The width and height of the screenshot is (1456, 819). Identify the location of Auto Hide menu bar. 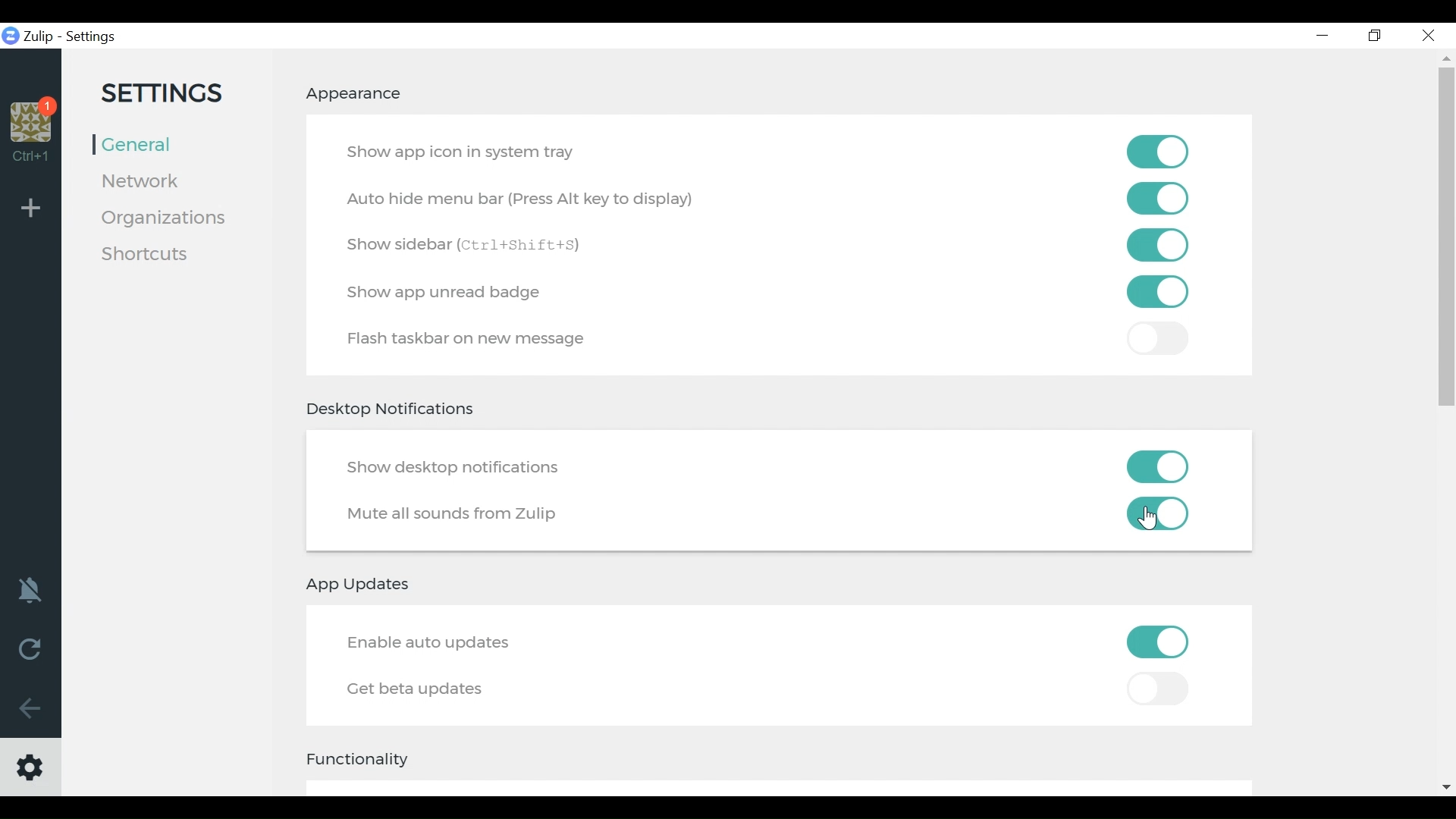
(522, 200).